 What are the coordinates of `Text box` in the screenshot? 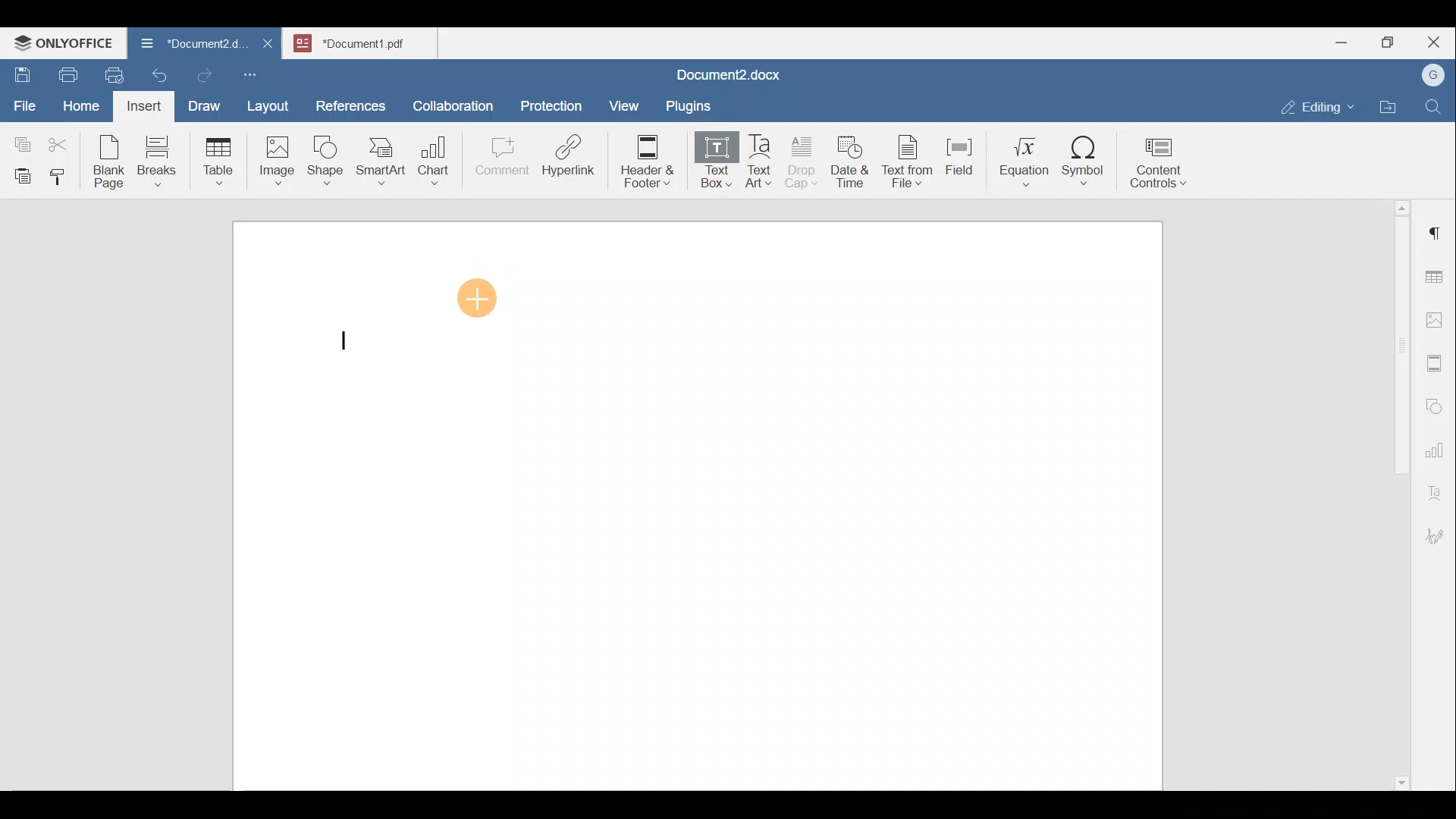 It's located at (714, 160).